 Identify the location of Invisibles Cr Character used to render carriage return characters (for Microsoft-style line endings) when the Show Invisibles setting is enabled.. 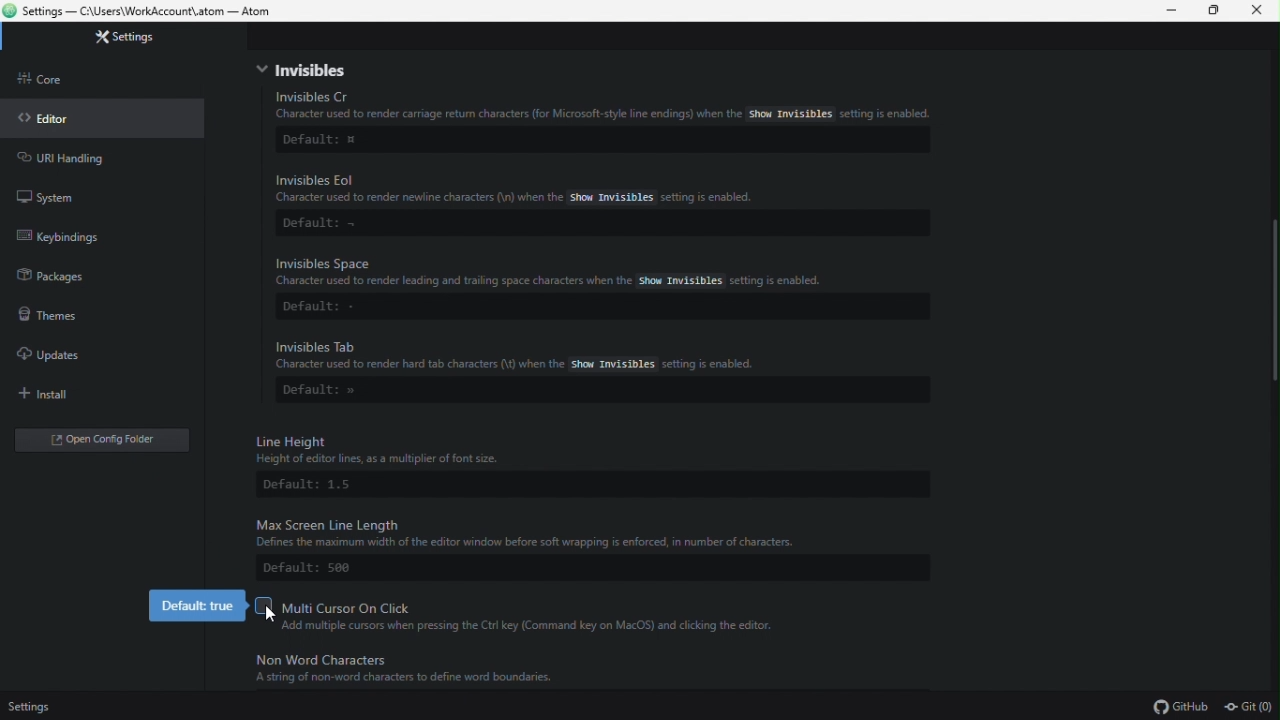
(599, 104).